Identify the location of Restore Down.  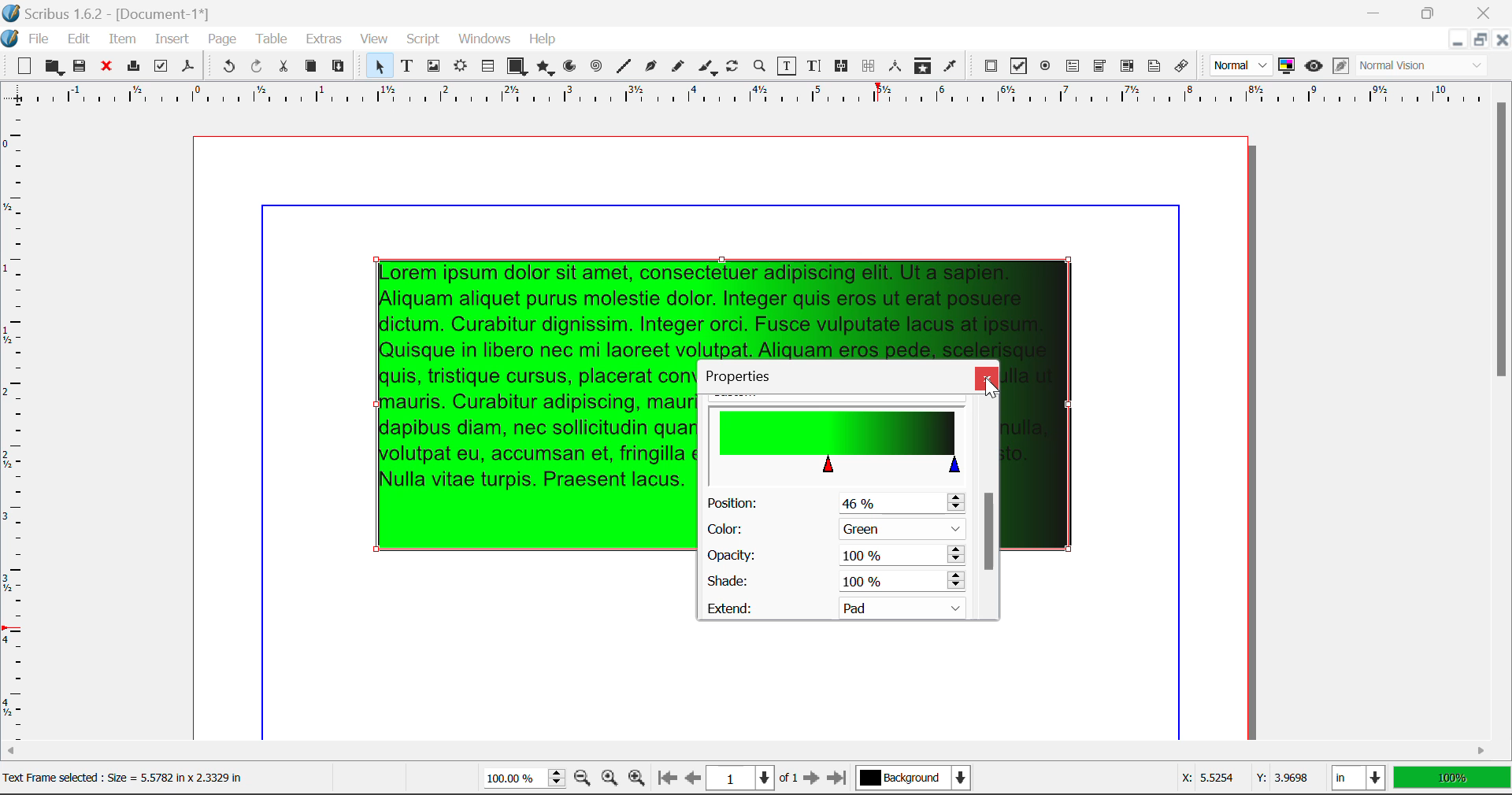
(1456, 40).